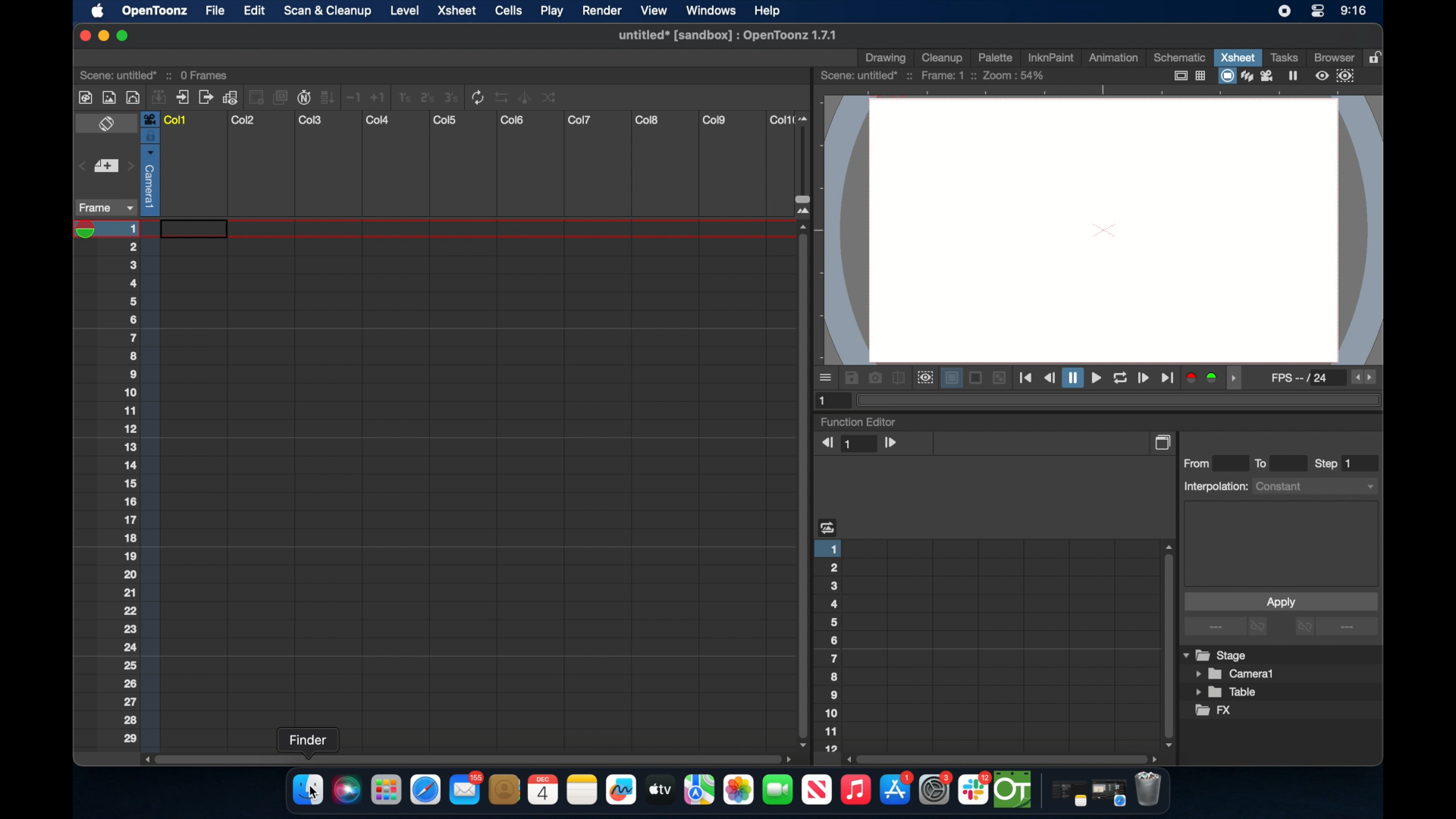  What do you see at coordinates (466, 758) in the screenshot?
I see `scroll box` at bounding box center [466, 758].